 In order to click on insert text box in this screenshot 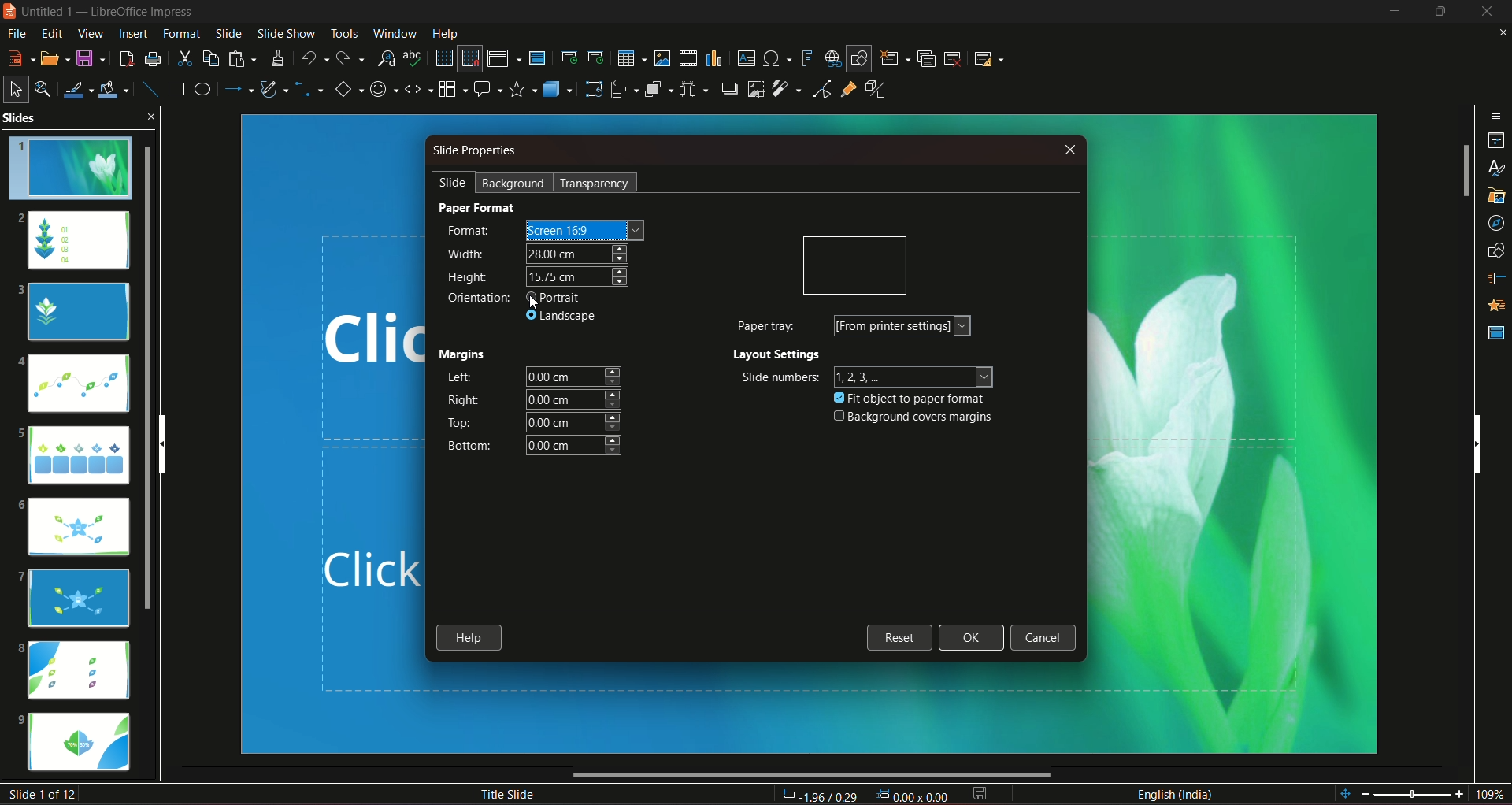, I will do `click(746, 57)`.